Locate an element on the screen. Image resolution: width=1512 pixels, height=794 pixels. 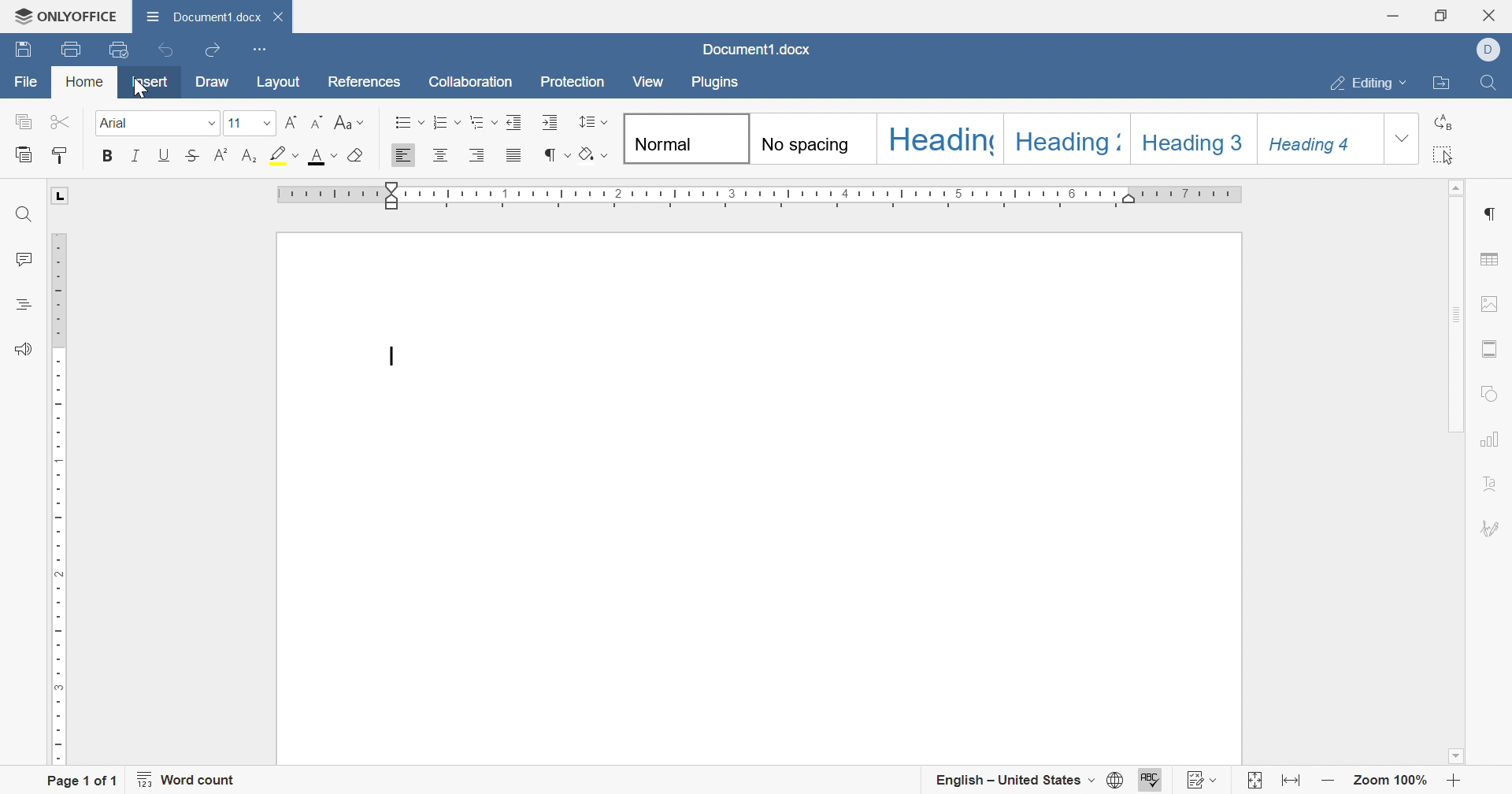
Drop Down is located at coordinates (1091, 780).